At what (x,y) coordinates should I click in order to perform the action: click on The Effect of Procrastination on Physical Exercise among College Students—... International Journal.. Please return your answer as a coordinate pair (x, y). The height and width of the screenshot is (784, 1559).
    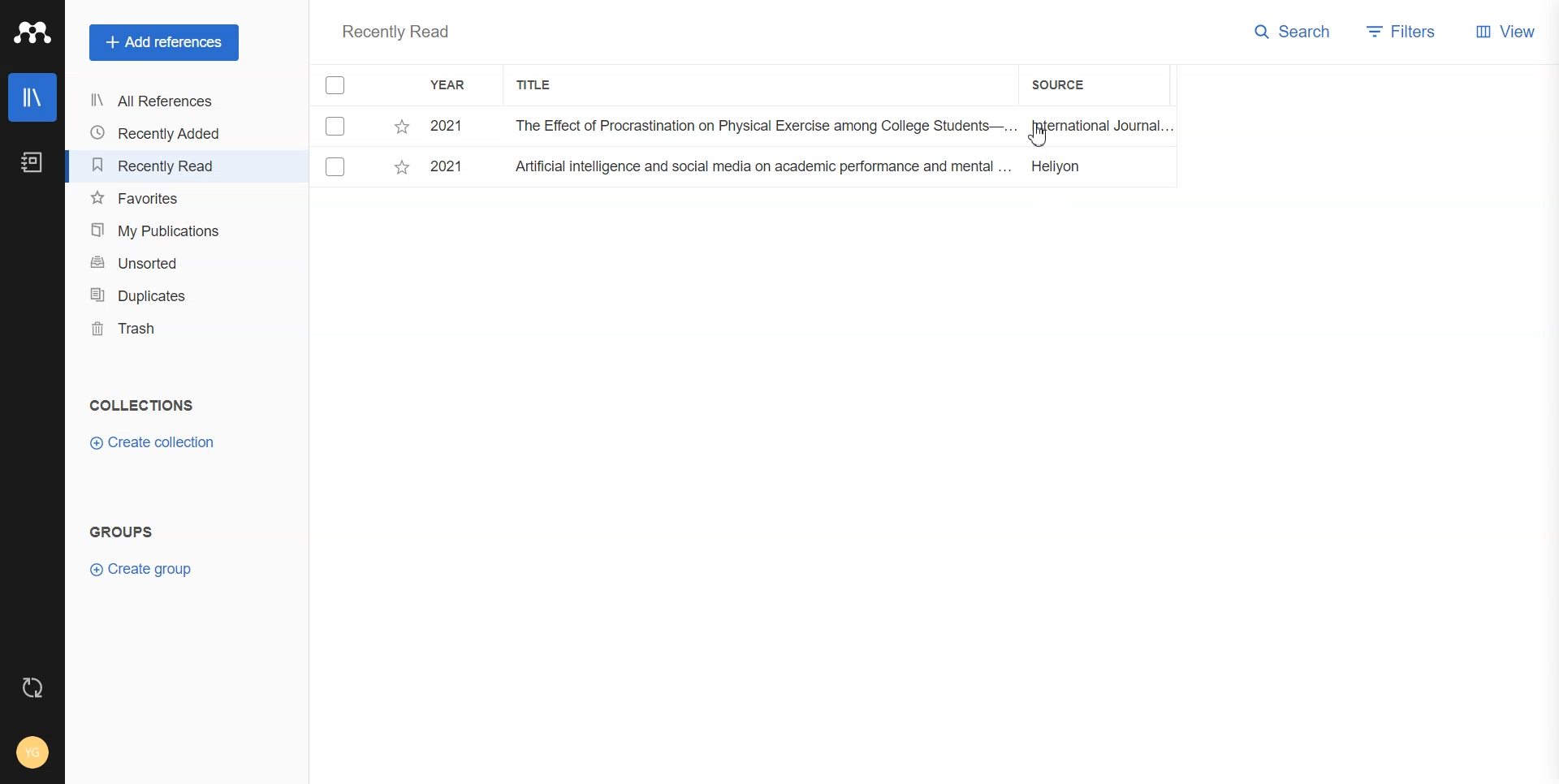
    Looking at the image, I should click on (836, 127).